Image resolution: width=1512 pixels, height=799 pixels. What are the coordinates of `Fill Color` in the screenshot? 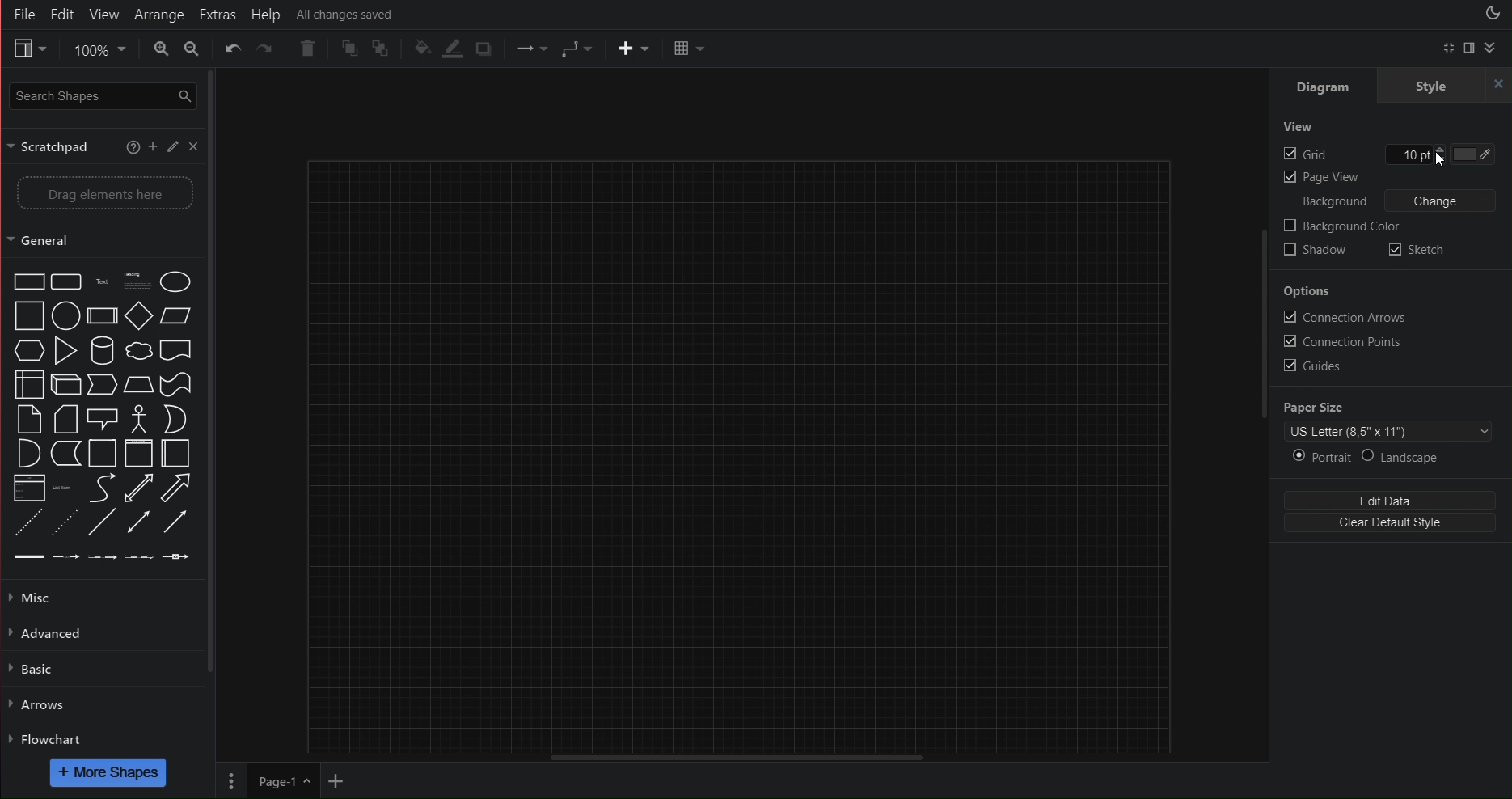 It's located at (422, 50).